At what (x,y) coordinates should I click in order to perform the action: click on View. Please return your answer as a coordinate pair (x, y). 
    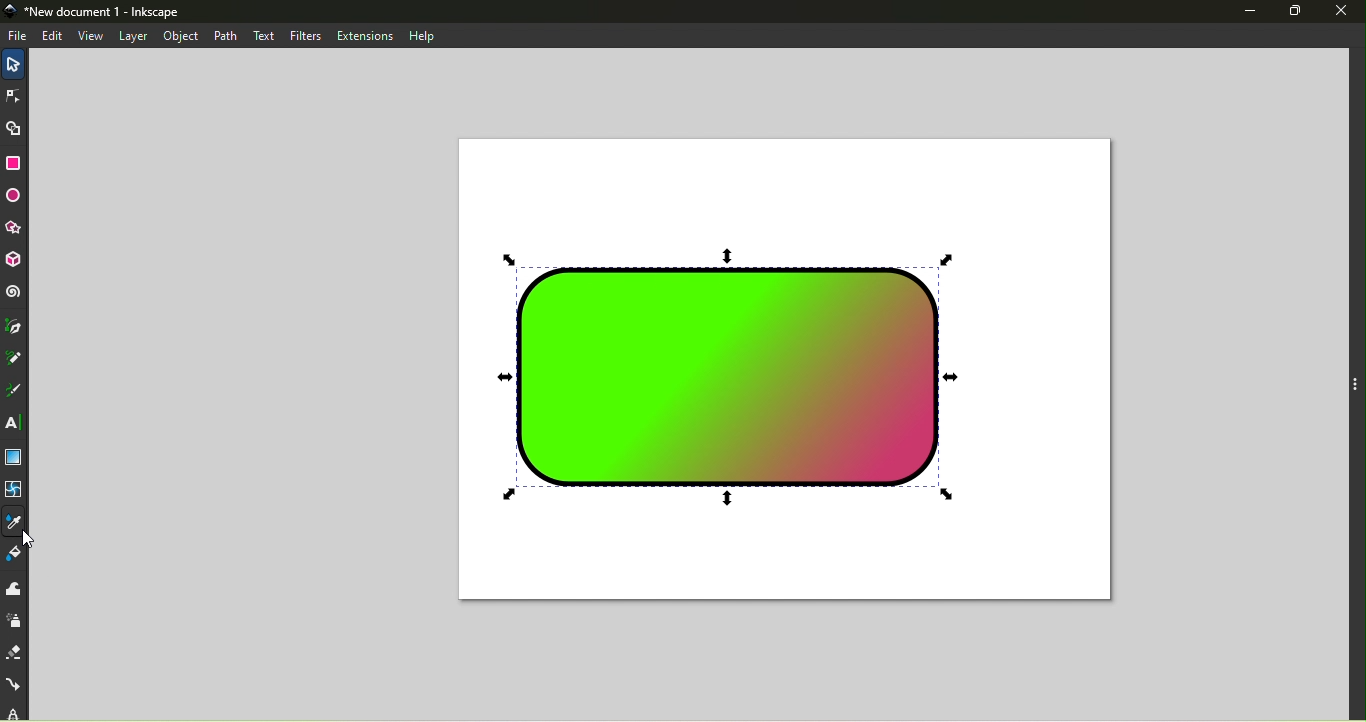
    Looking at the image, I should click on (90, 36).